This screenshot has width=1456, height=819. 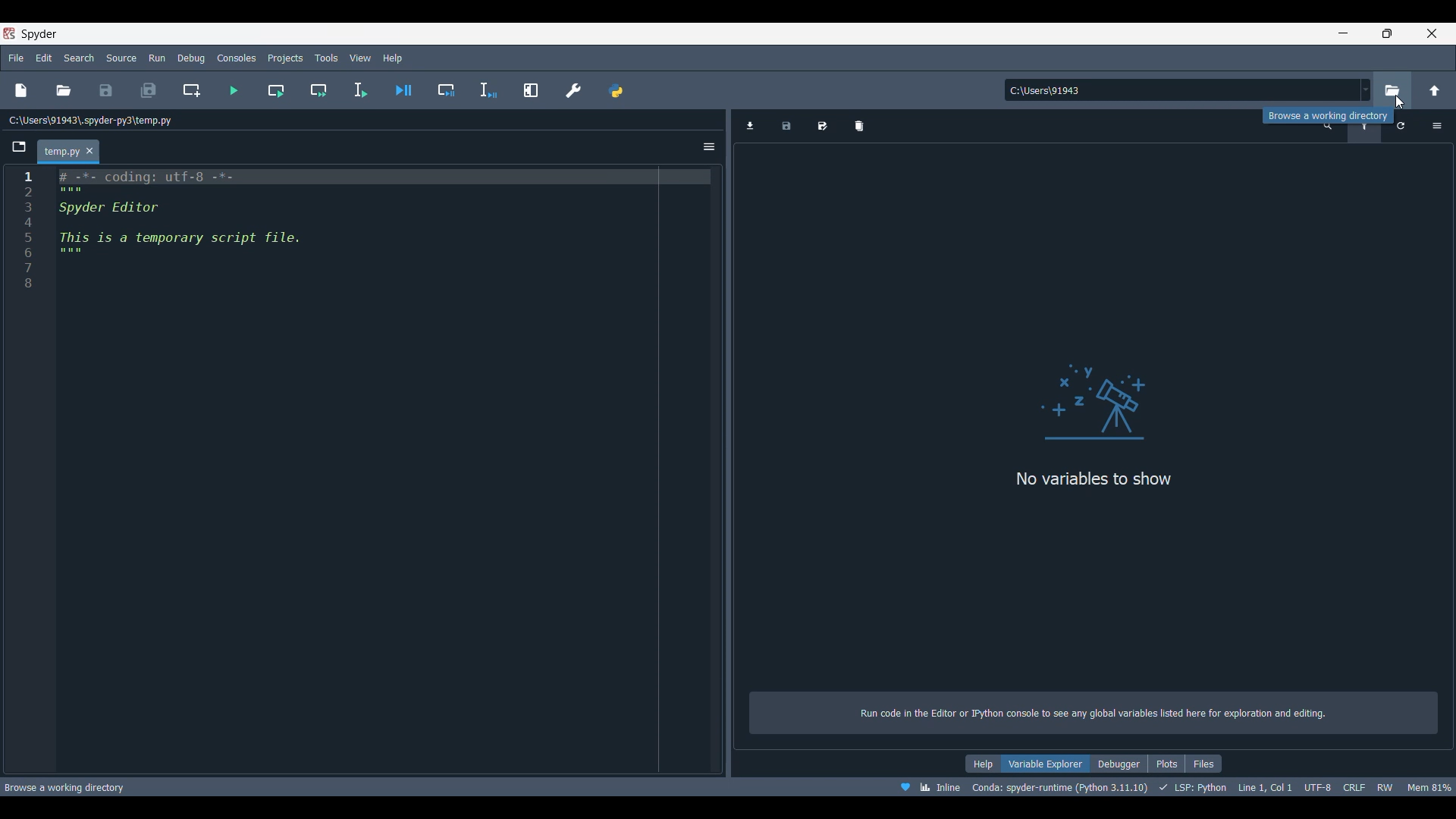 What do you see at coordinates (1344, 33) in the screenshot?
I see `Minimize` at bounding box center [1344, 33].